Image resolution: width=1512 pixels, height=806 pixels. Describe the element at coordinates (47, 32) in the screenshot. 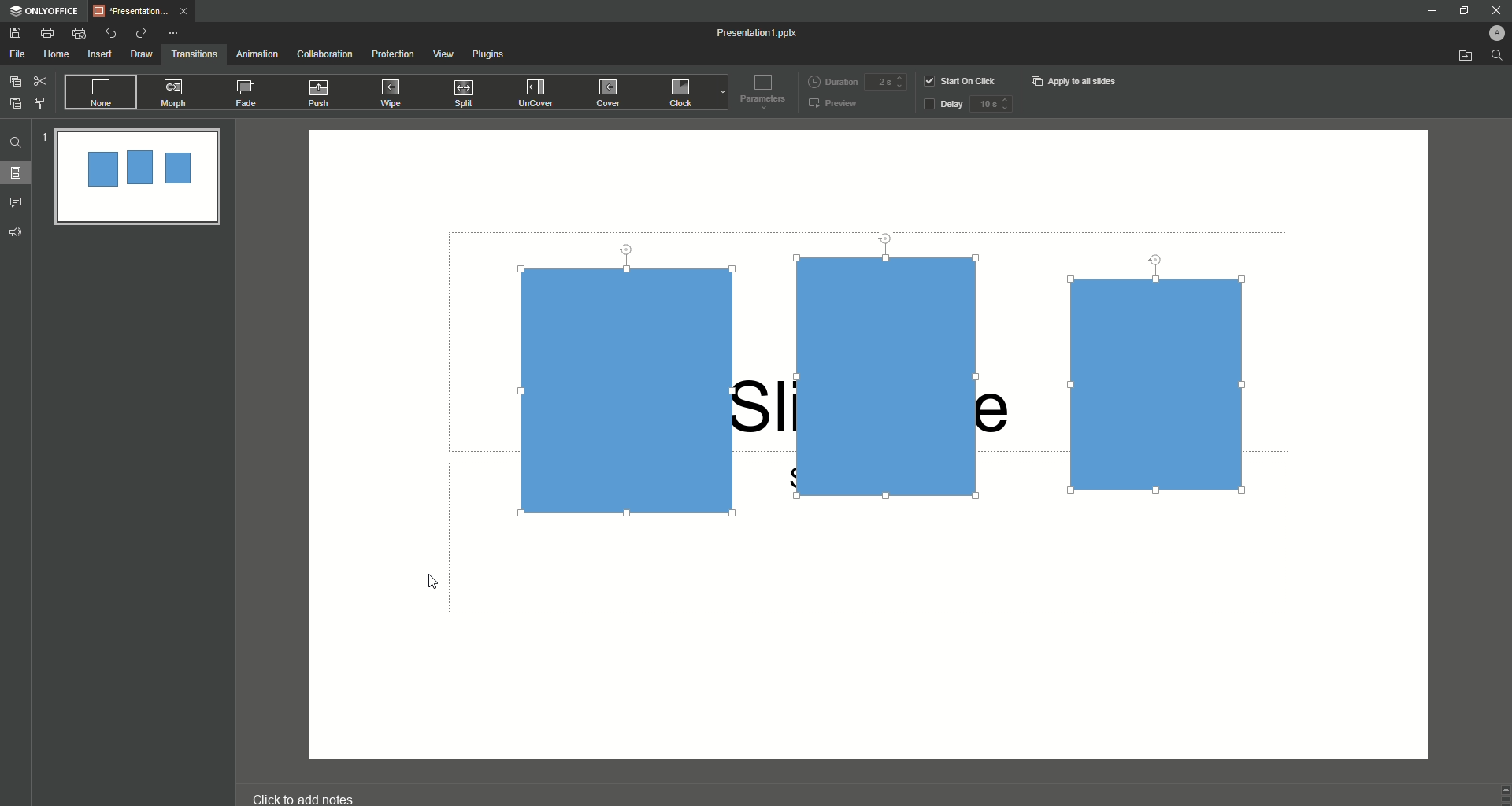

I see `Print` at that location.